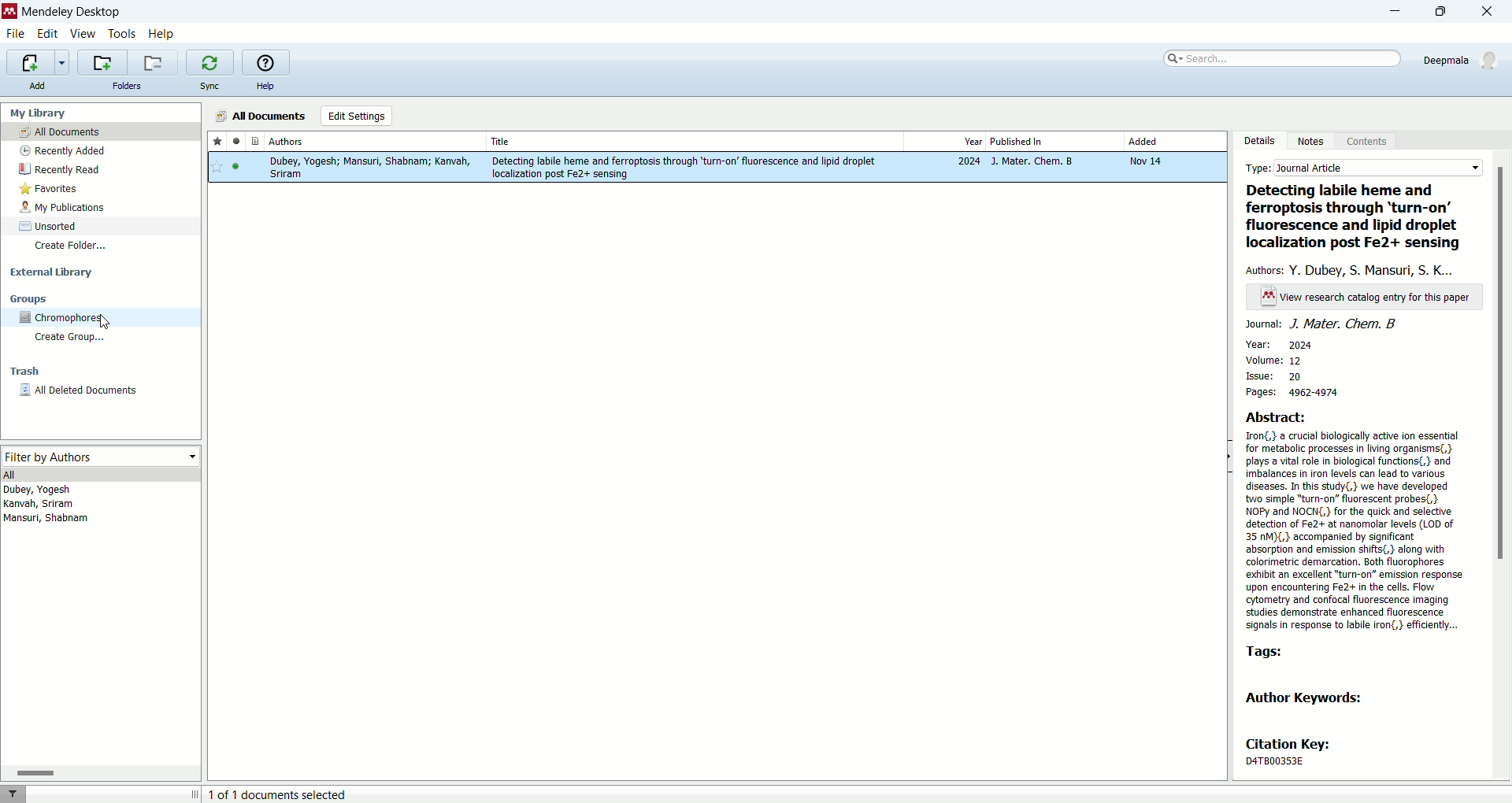 This screenshot has height=803, width=1512. I want to click on unsorted, so click(48, 226).